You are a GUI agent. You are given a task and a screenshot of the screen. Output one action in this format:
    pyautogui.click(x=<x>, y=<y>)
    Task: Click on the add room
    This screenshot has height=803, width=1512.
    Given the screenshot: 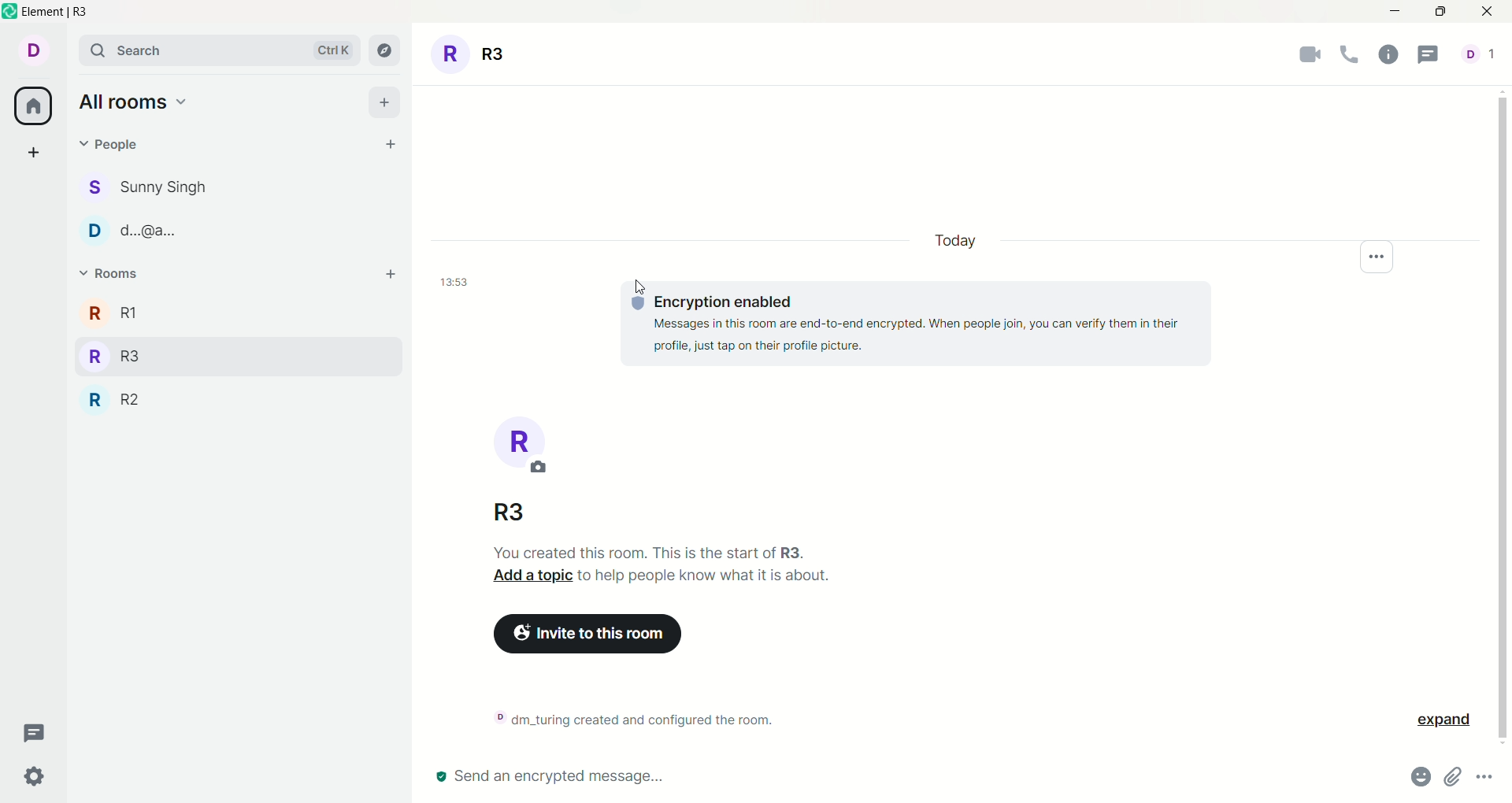 What is the action you would take?
    pyautogui.click(x=388, y=276)
    